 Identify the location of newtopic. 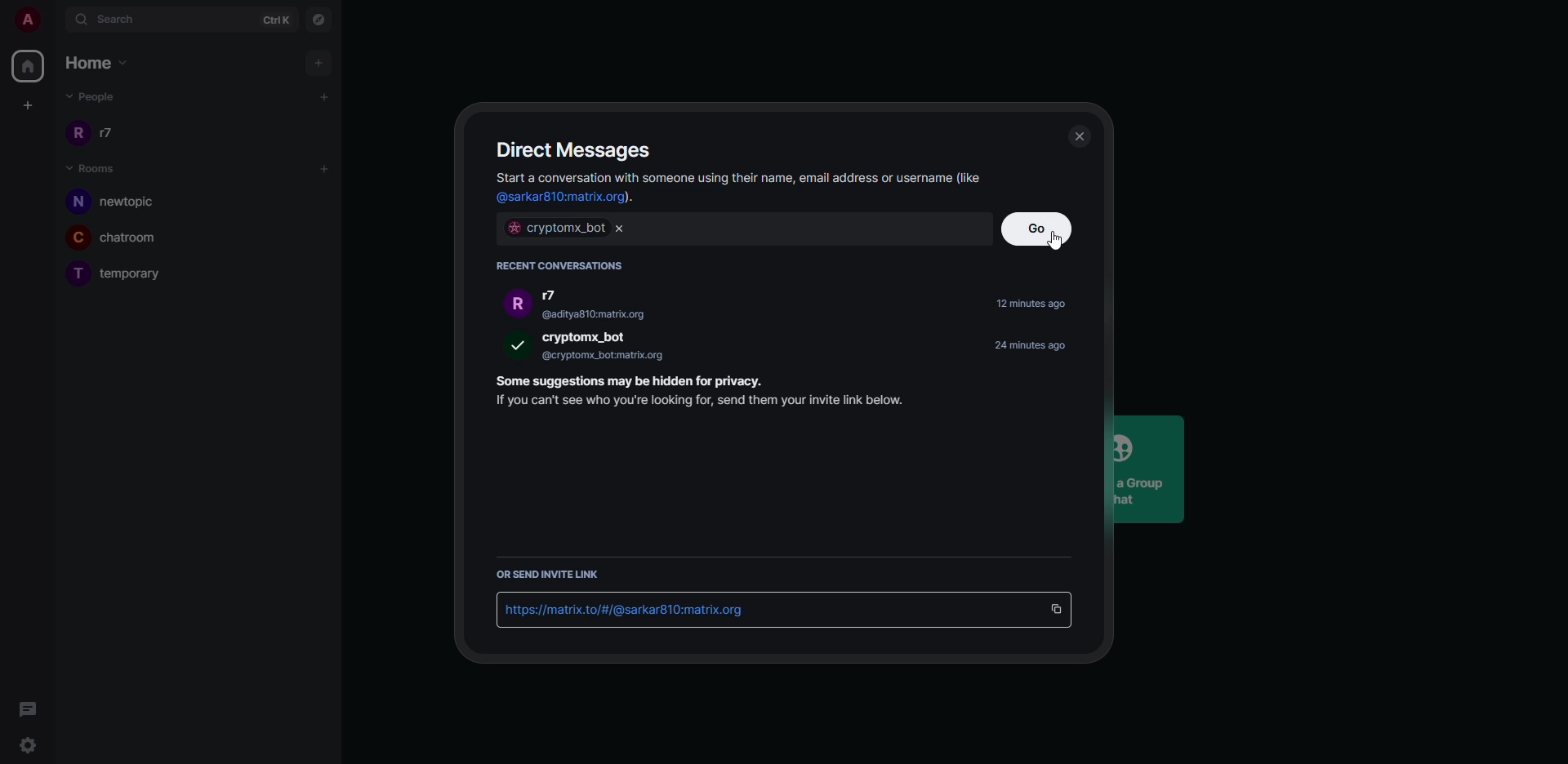
(136, 202).